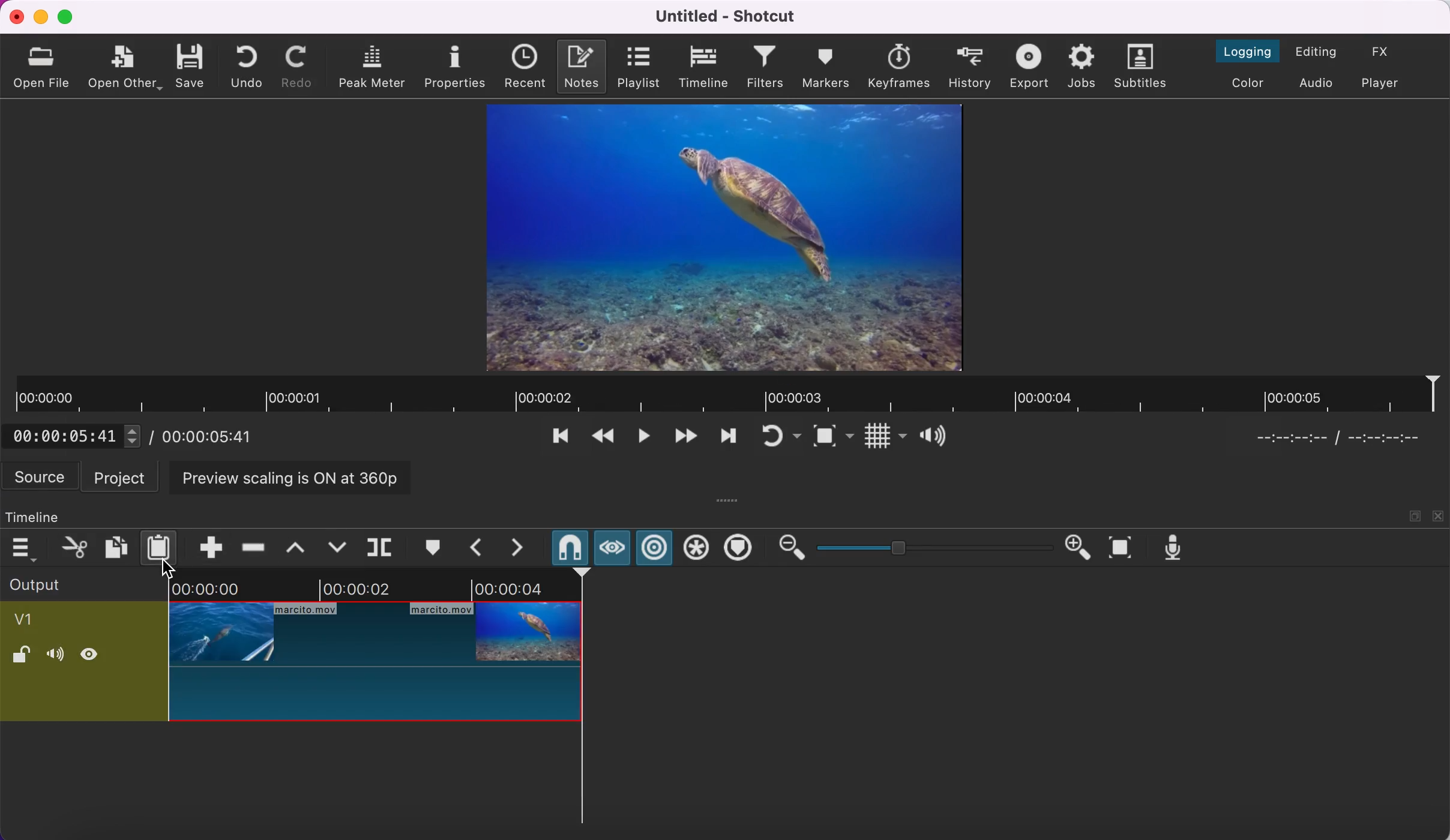 The image size is (1450, 840). What do you see at coordinates (1125, 548) in the screenshot?
I see `zoom timeline to fit` at bounding box center [1125, 548].